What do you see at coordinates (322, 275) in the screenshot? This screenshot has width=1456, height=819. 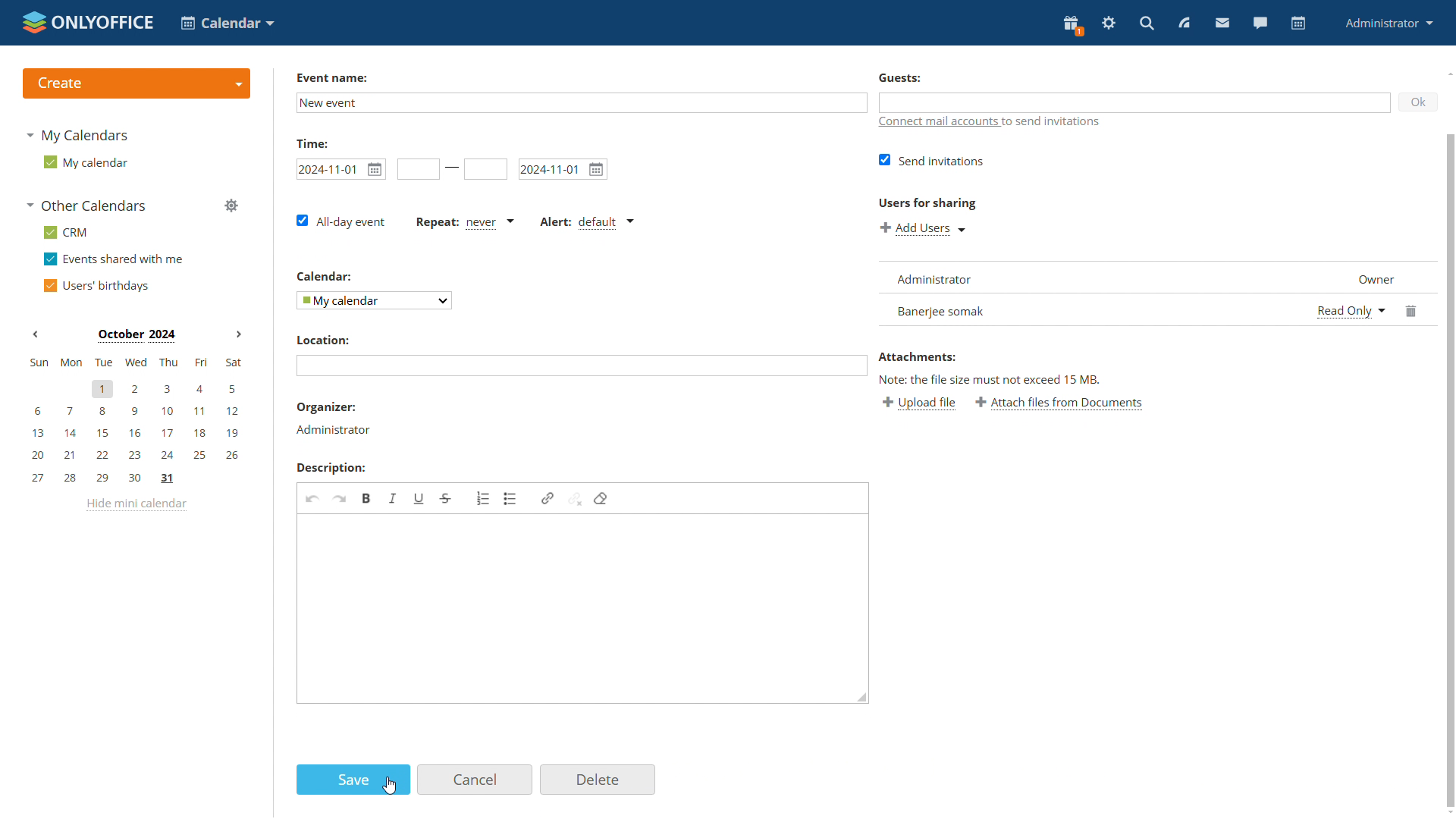 I see `Calendar` at bounding box center [322, 275].